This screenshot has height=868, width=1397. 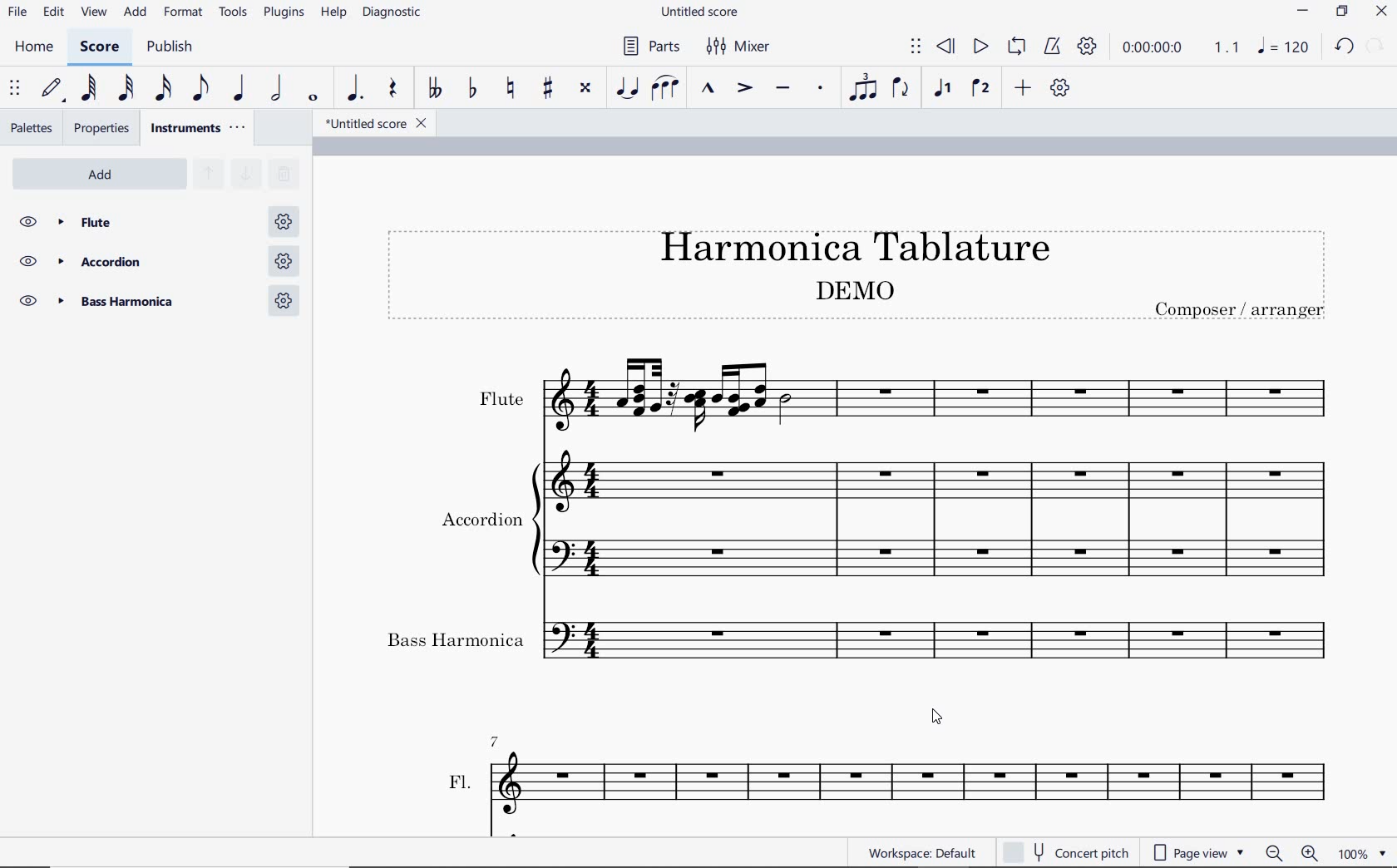 I want to click on BAss Harmonica, so click(x=99, y=308).